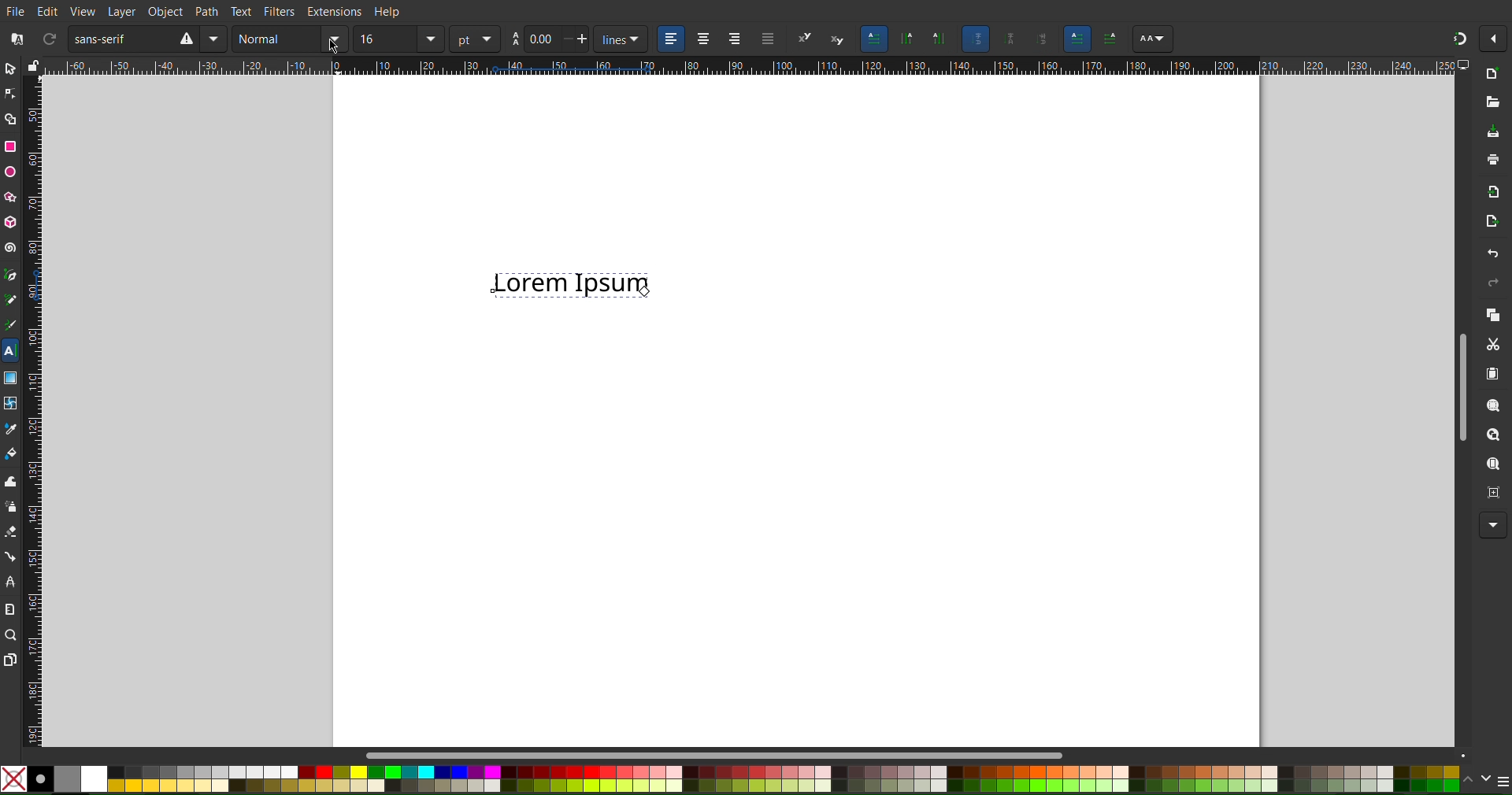  What do you see at coordinates (11, 505) in the screenshot?
I see `Spray Tool` at bounding box center [11, 505].